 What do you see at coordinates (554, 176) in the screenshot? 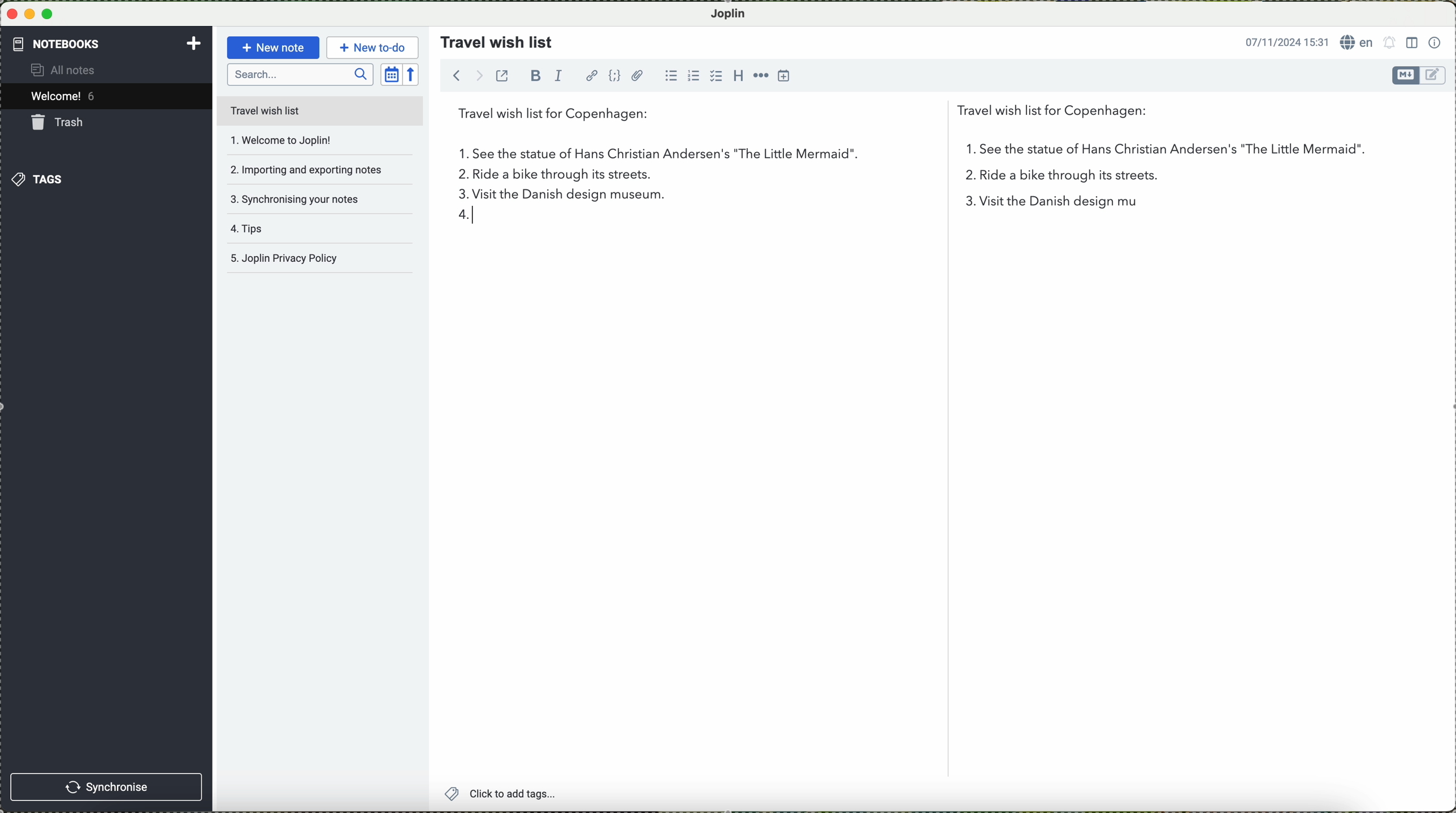
I see `ride a bike through its streets.` at bounding box center [554, 176].